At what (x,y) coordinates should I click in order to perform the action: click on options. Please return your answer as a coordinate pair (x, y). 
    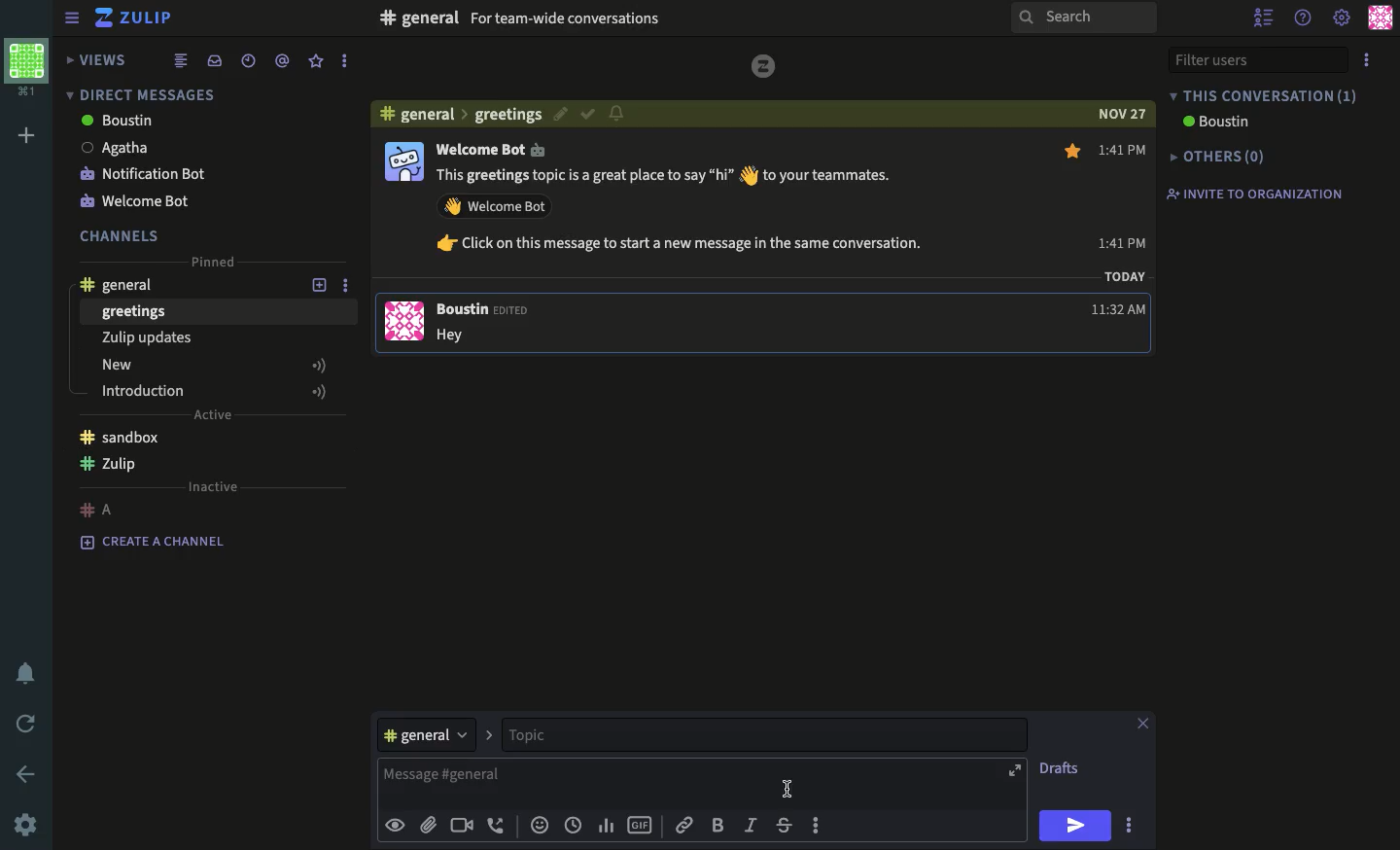
    Looking at the image, I should click on (818, 824).